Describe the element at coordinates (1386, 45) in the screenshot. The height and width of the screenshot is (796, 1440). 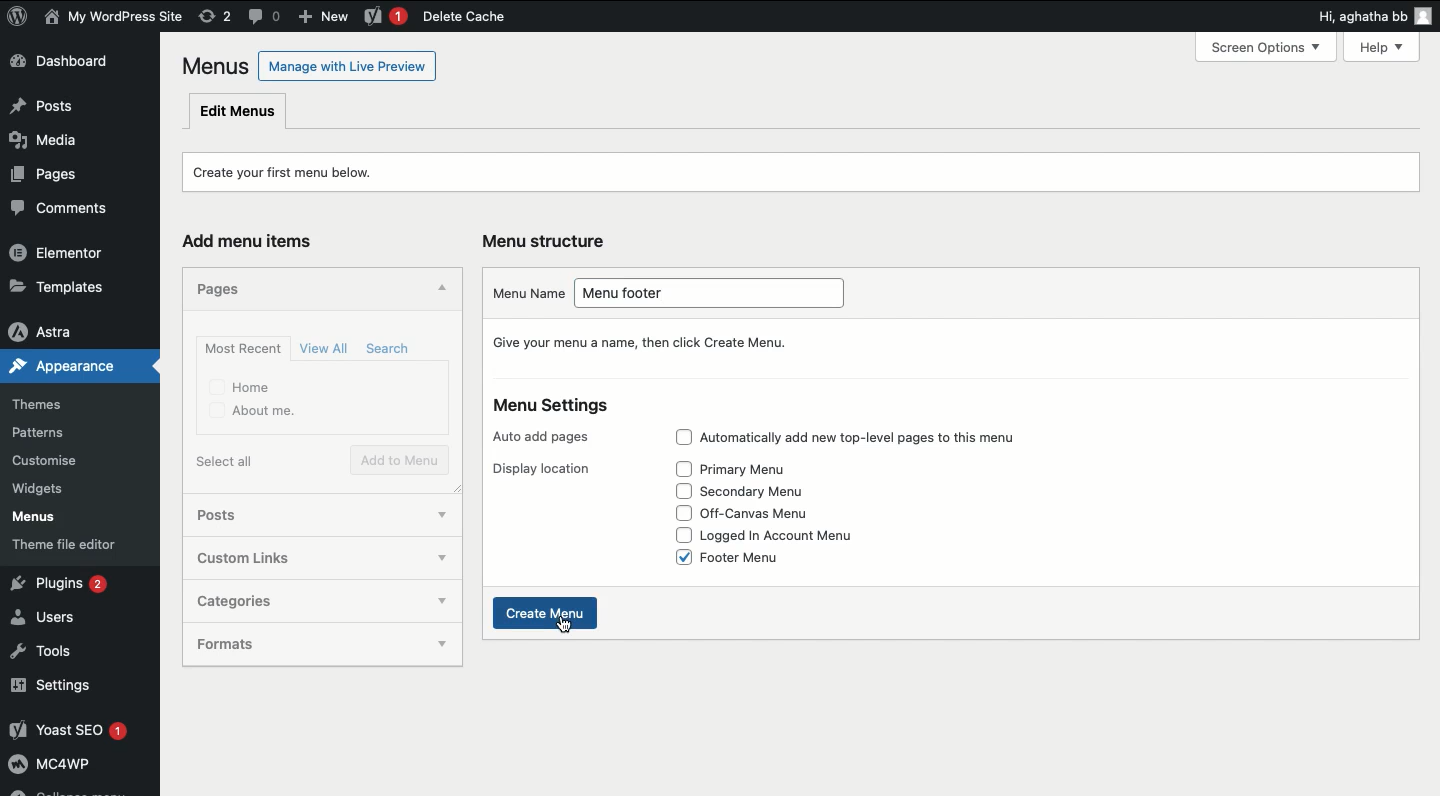
I see `Help` at that location.